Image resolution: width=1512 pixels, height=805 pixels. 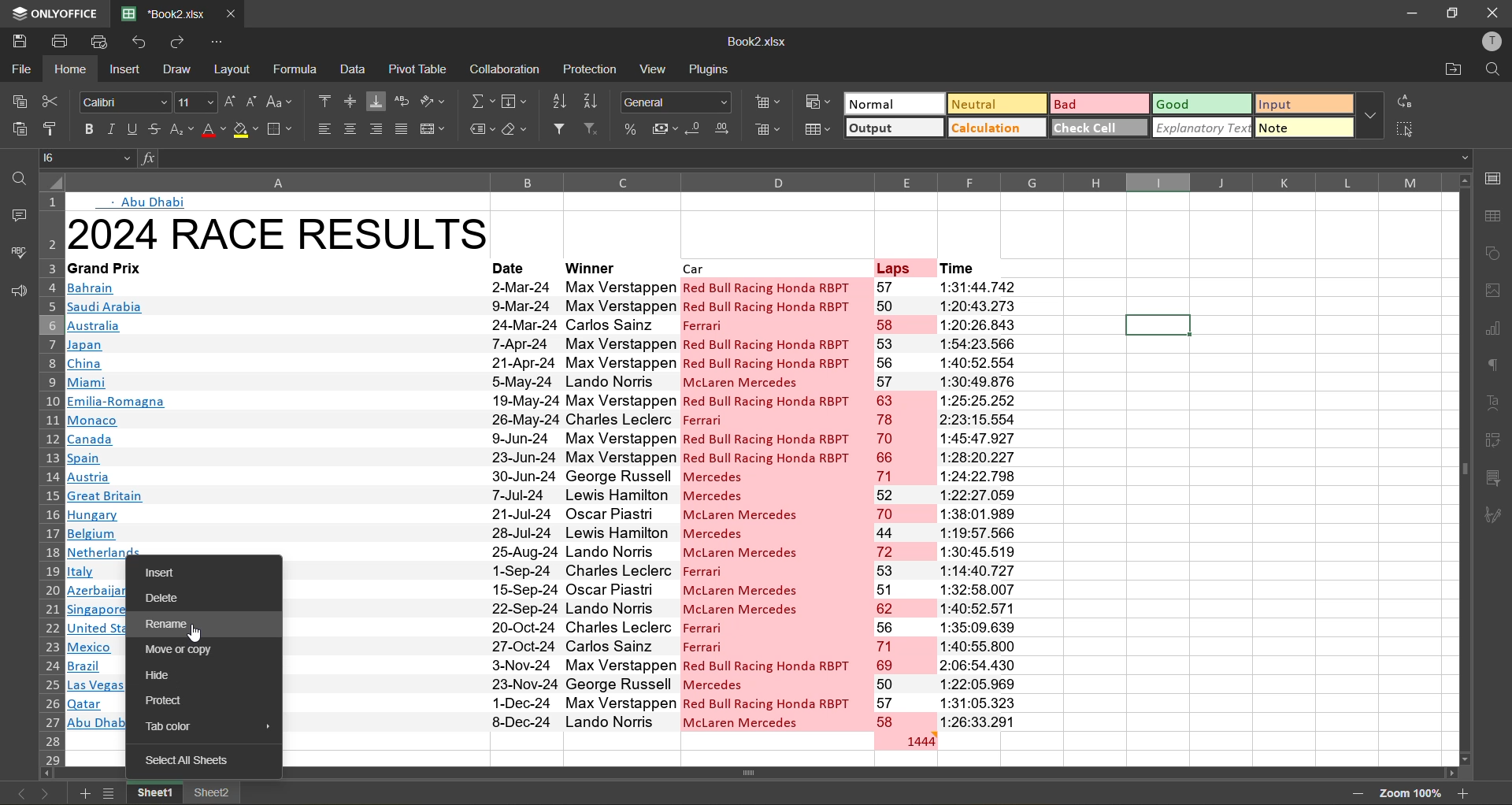 I want to click on delete, so click(x=172, y=599).